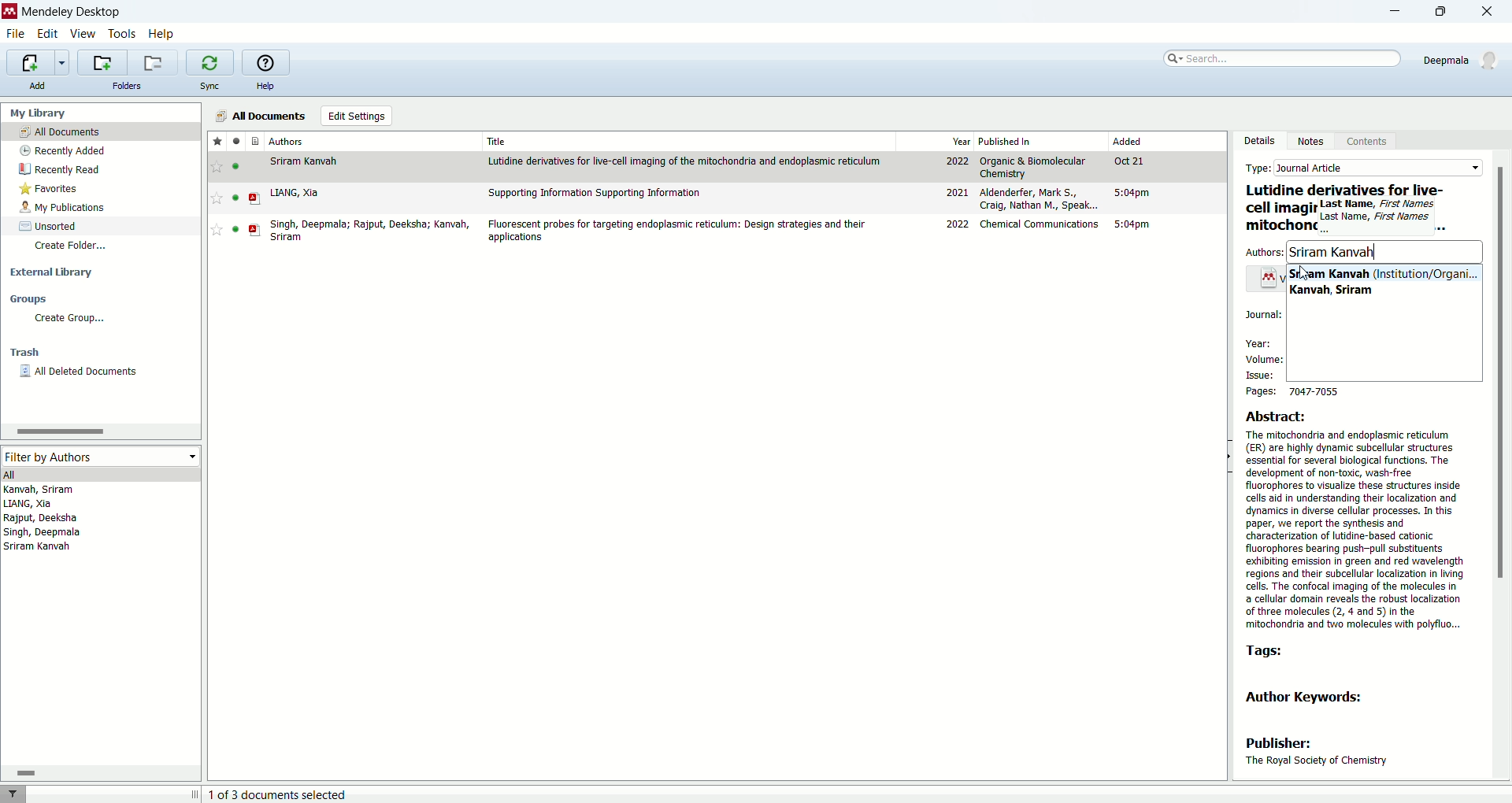  What do you see at coordinates (154, 62) in the screenshot?
I see `remove current folder` at bounding box center [154, 62].